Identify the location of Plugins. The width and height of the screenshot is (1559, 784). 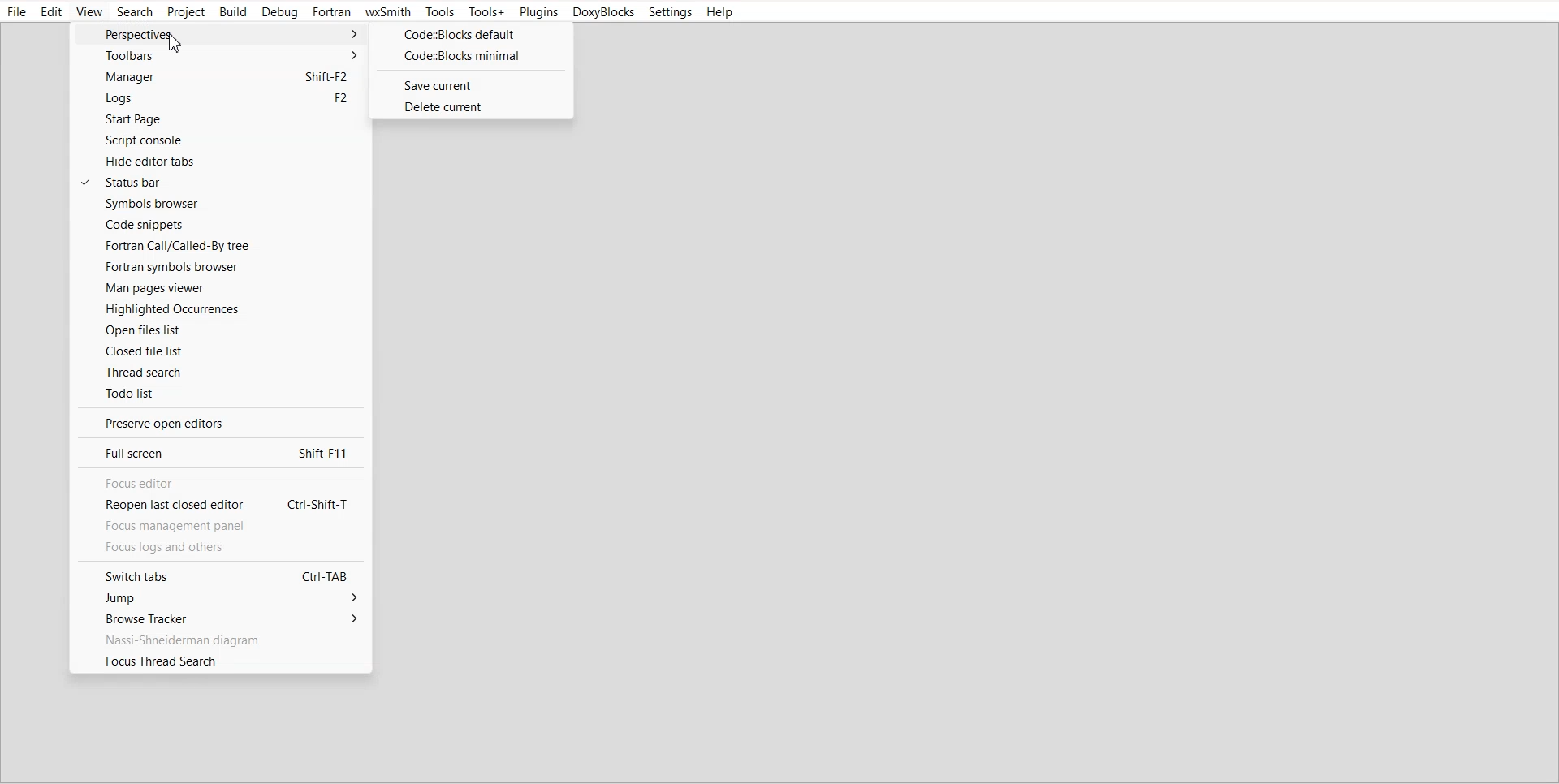
(538, 13).